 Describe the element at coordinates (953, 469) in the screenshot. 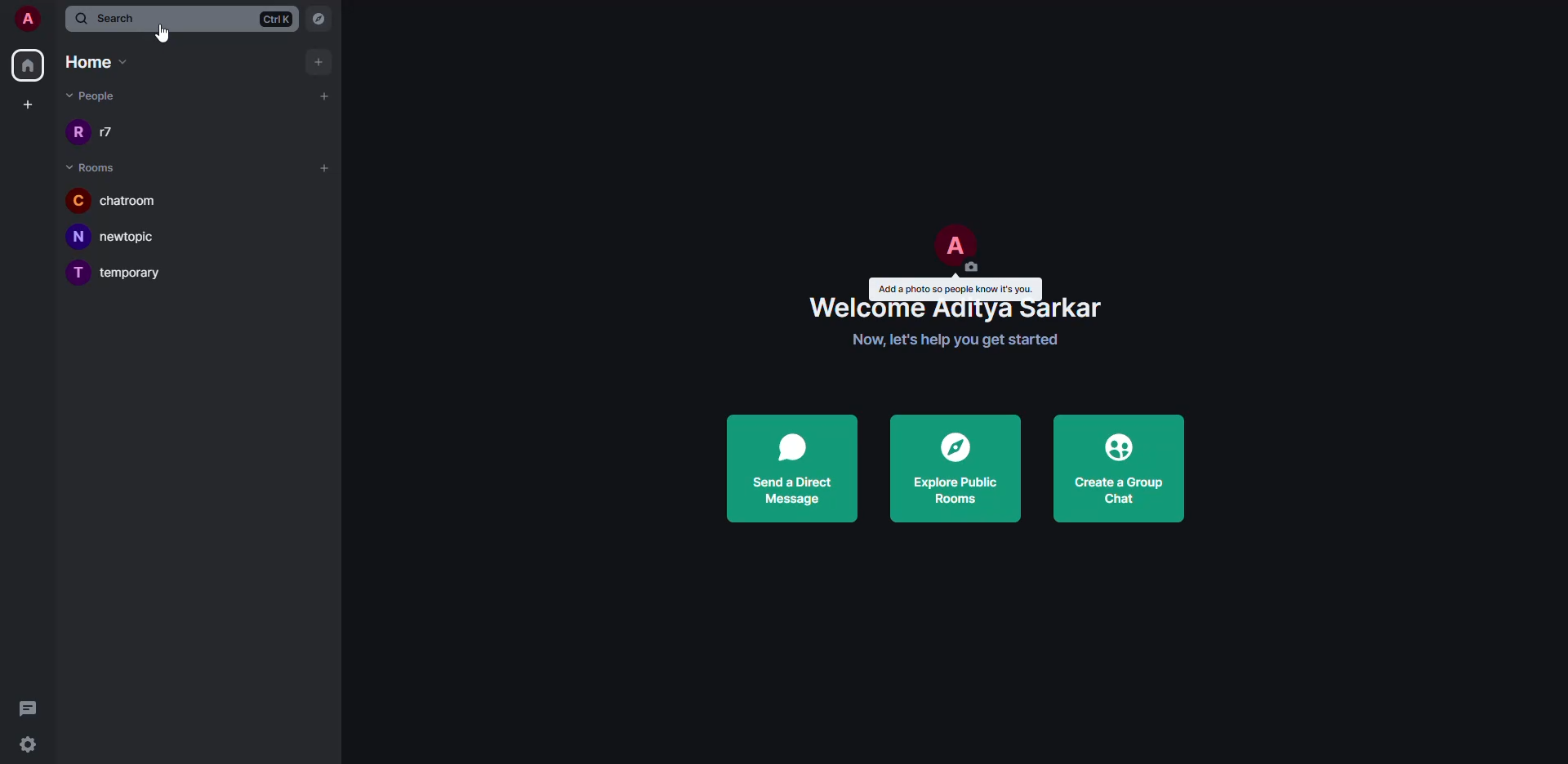

I see `explore rooms` at that location.